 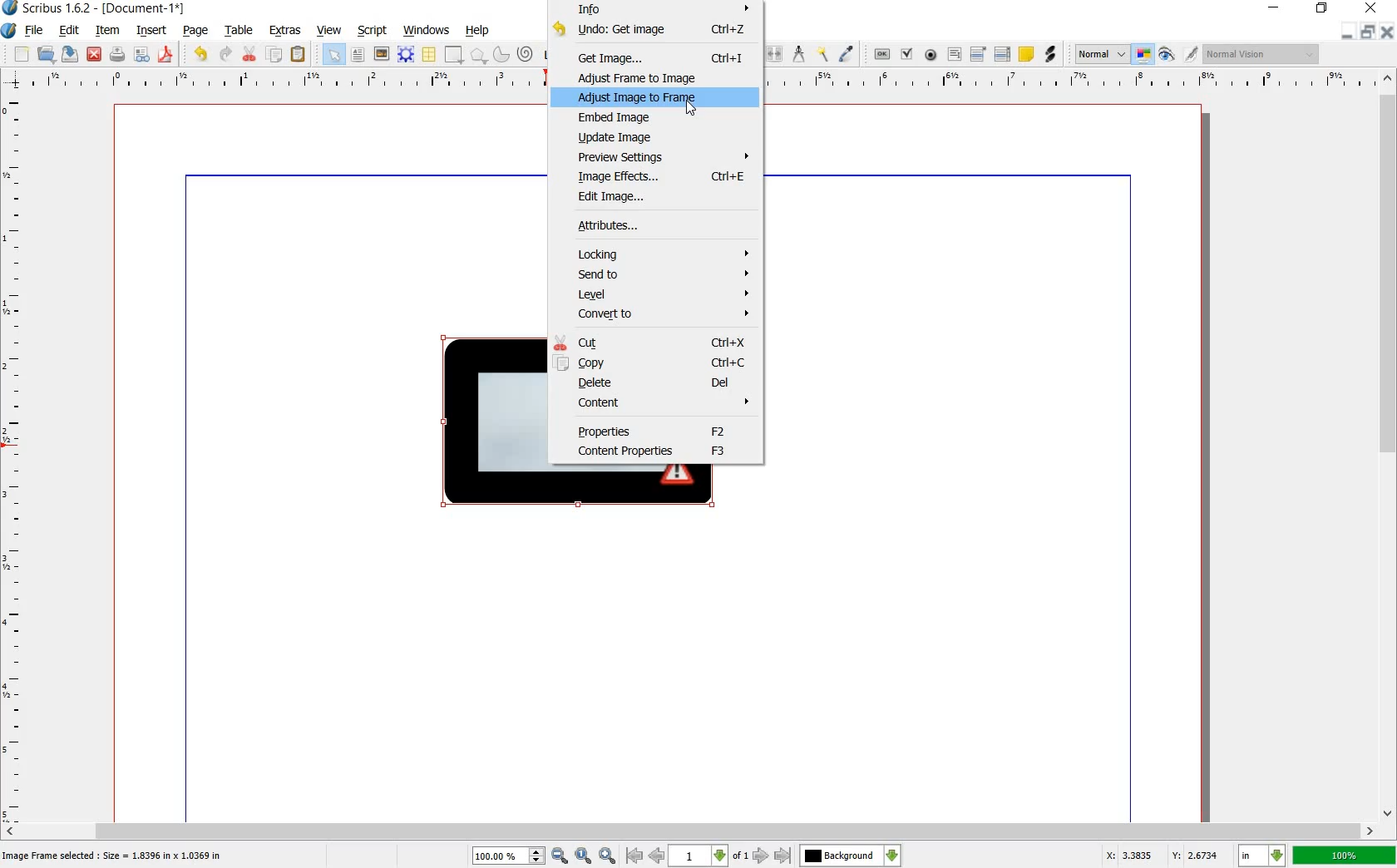 I want to click on -[Document-1*], so click(x=143, y=9).